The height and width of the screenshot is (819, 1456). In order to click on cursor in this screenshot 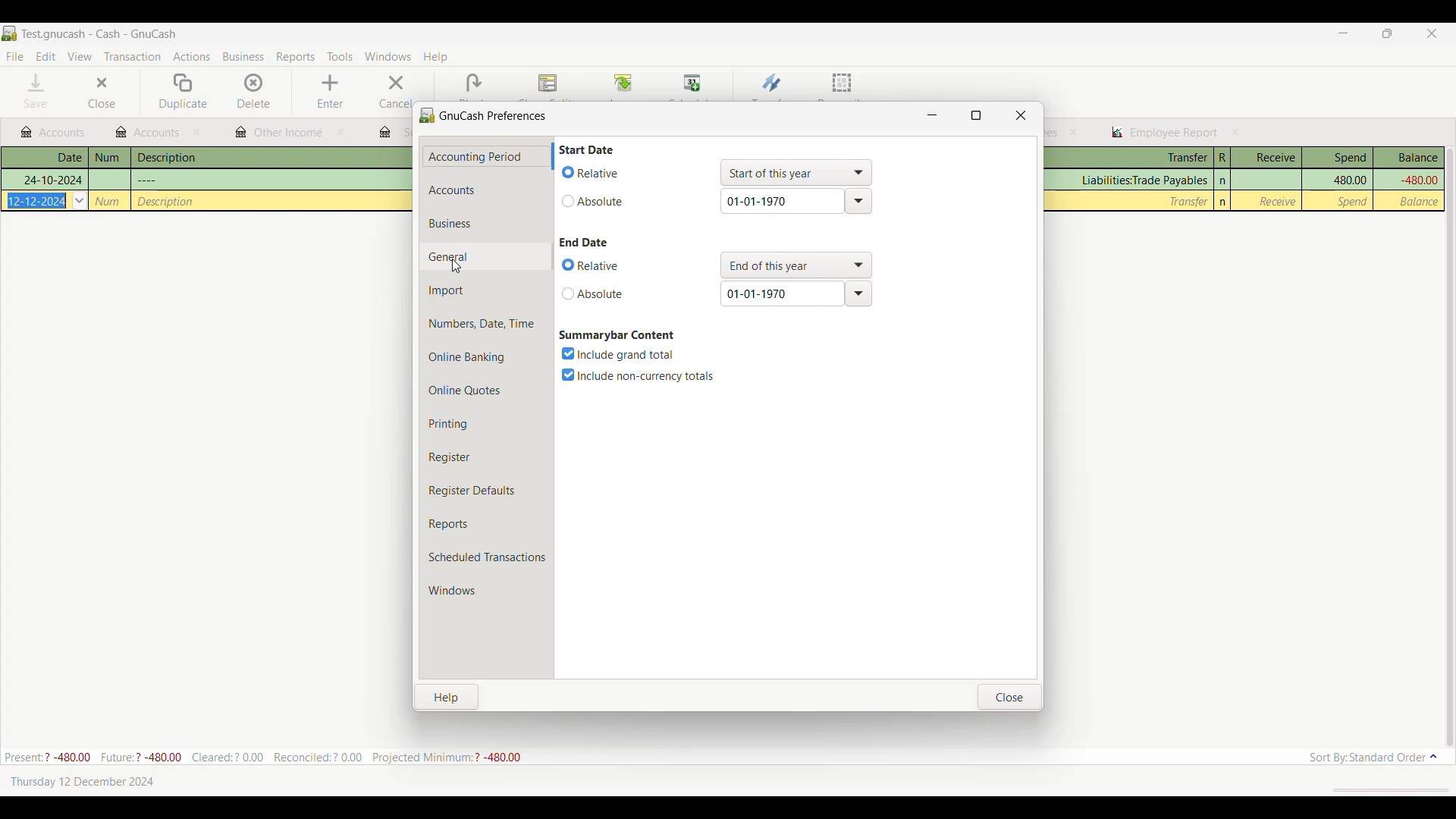, I will do `click(457, 268)`.